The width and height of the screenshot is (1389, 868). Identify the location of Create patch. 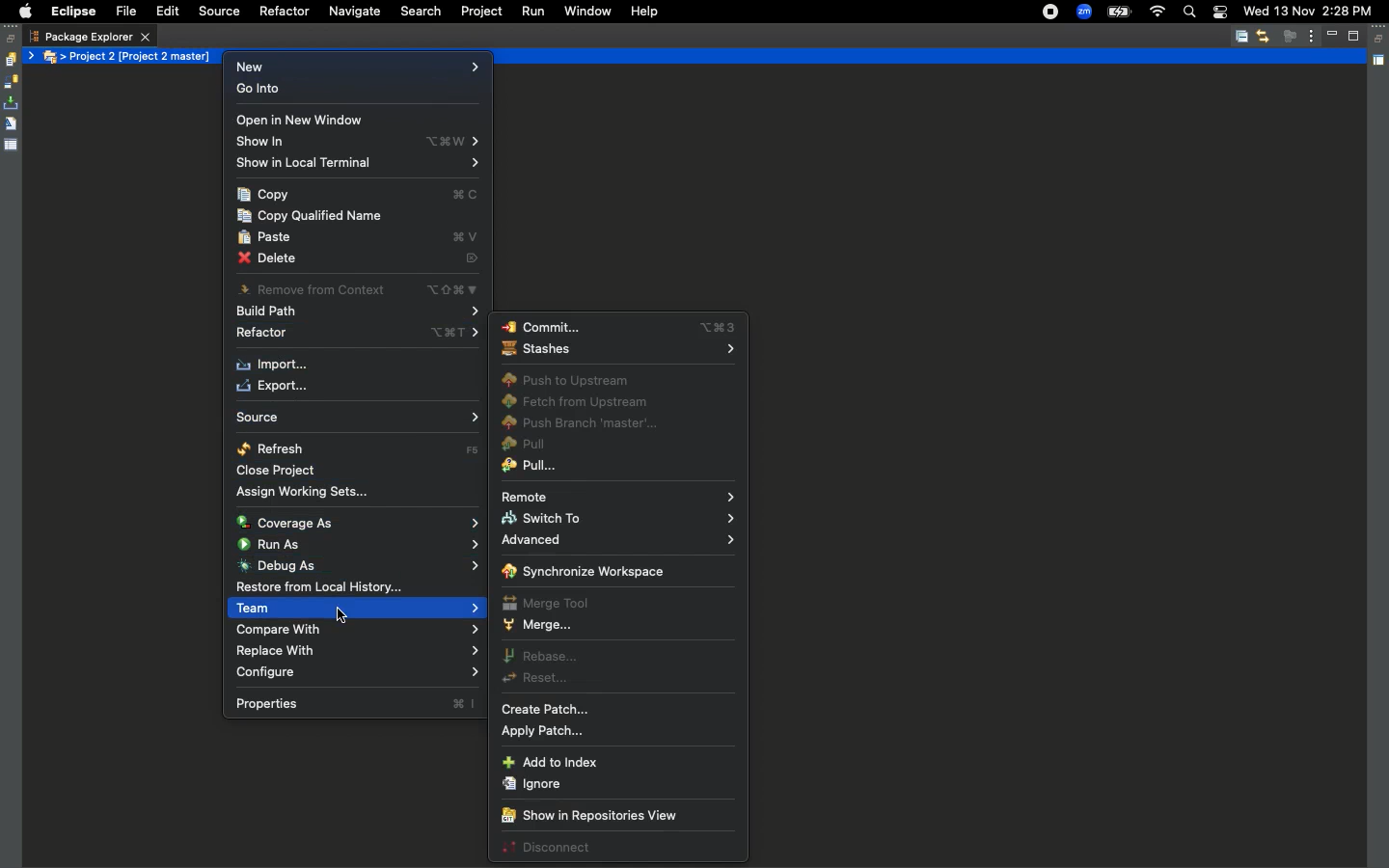
(550, 710).